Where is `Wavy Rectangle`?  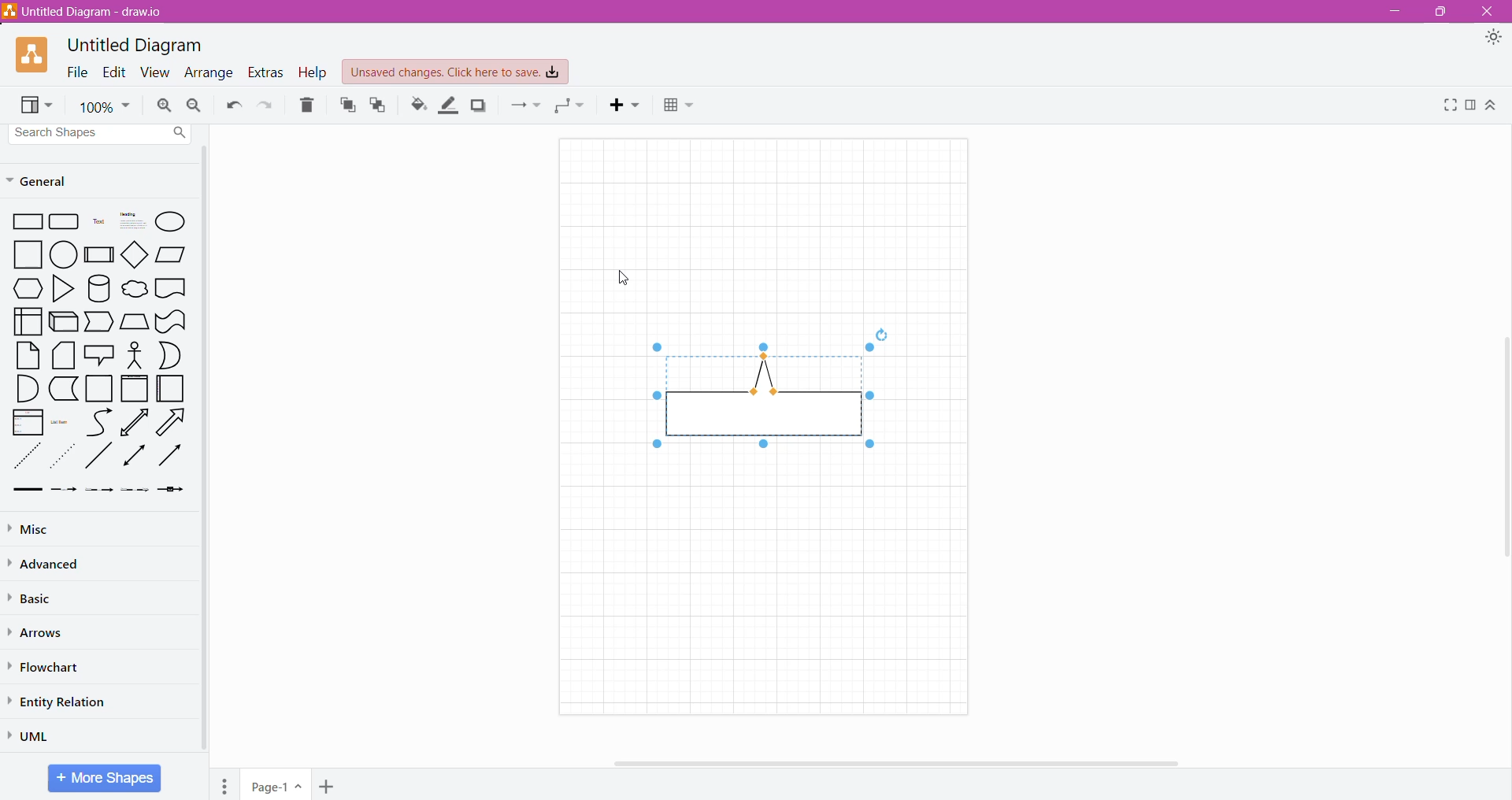 Wavy Rectangle is located at coordinates (171, 321).